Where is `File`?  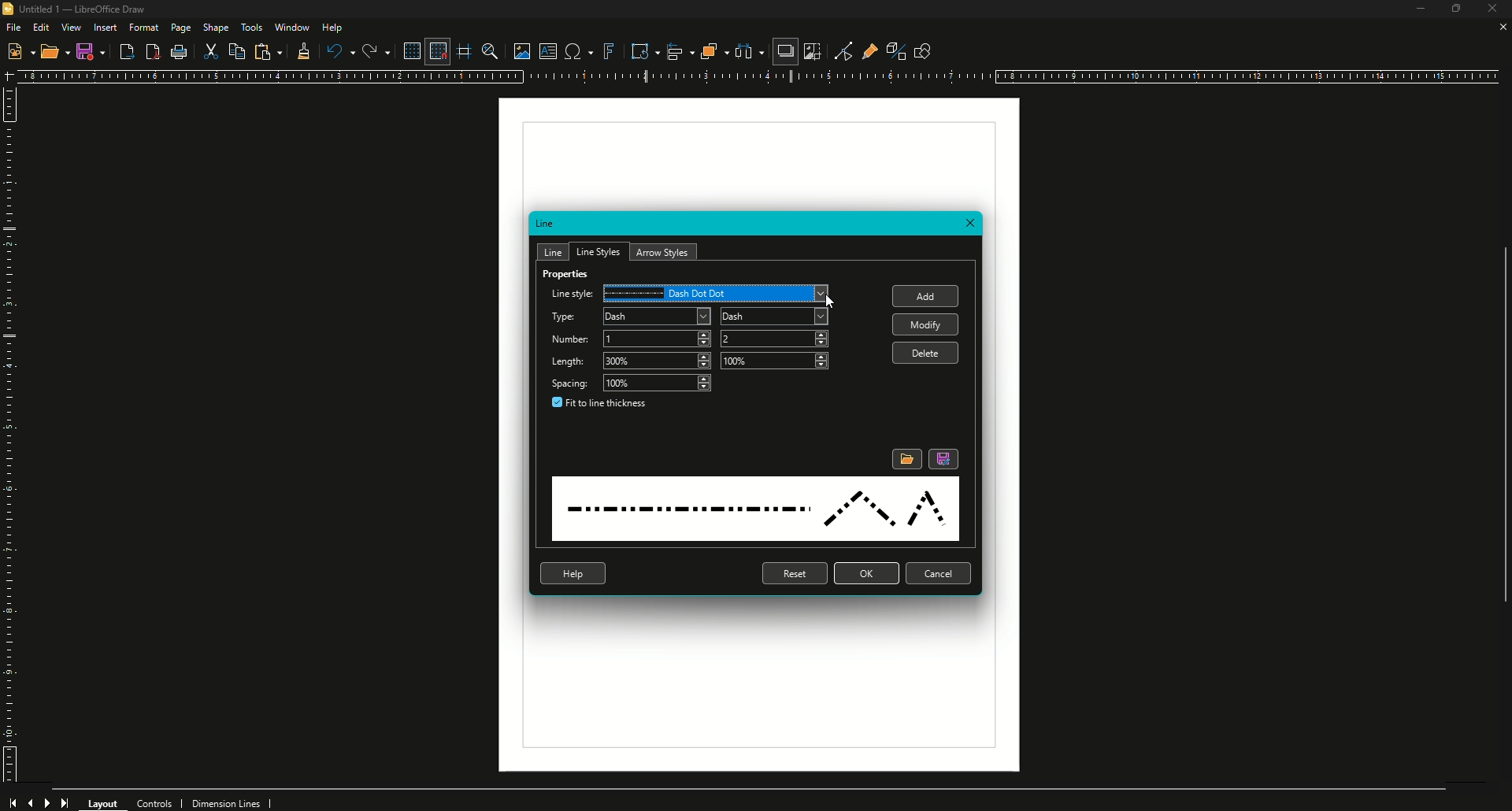 File is located at coordinates (13, 27).